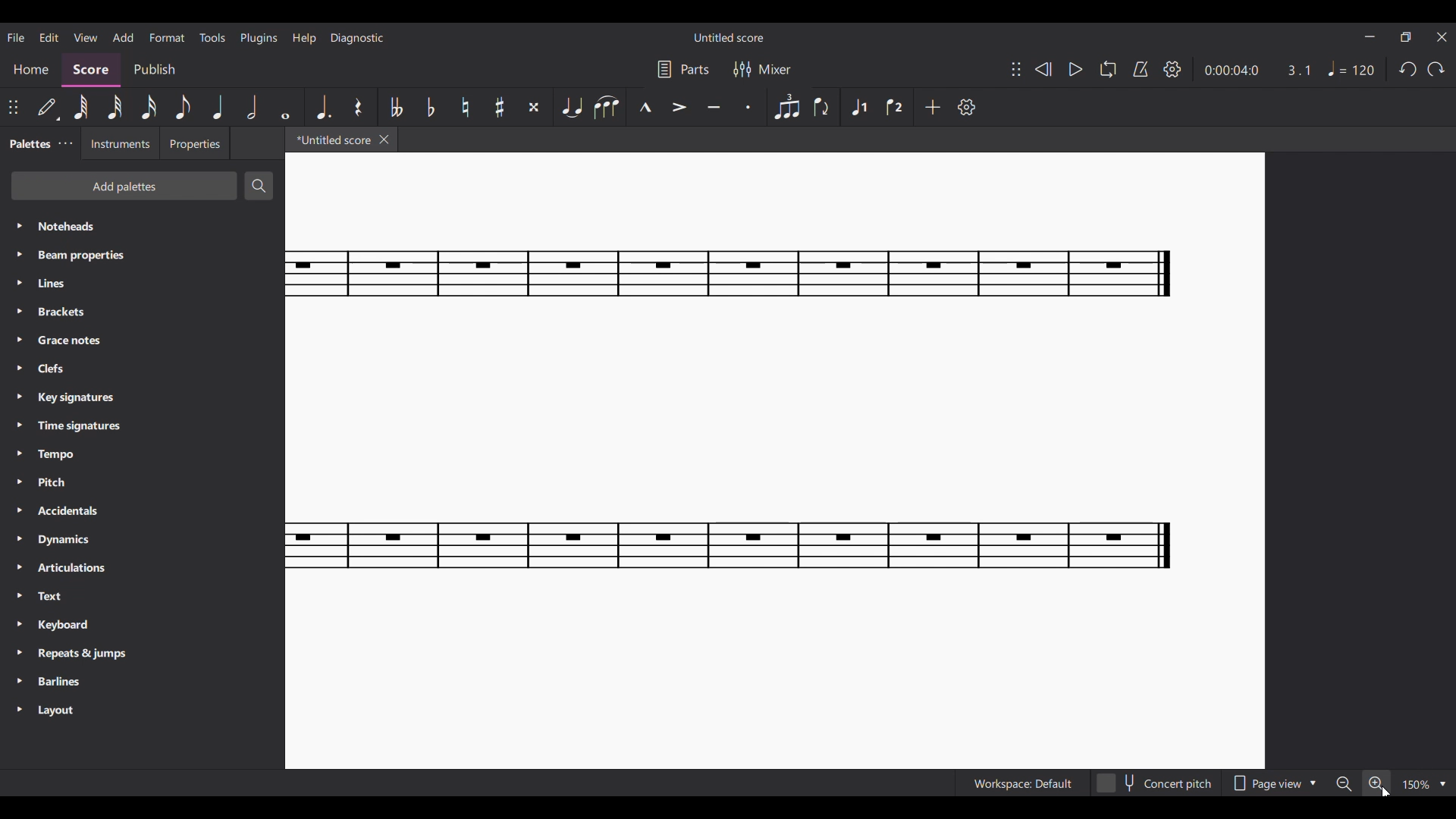  Describe the element at coordinates (465, 108) in the screenshot. I see `Toggle natural` at that location.